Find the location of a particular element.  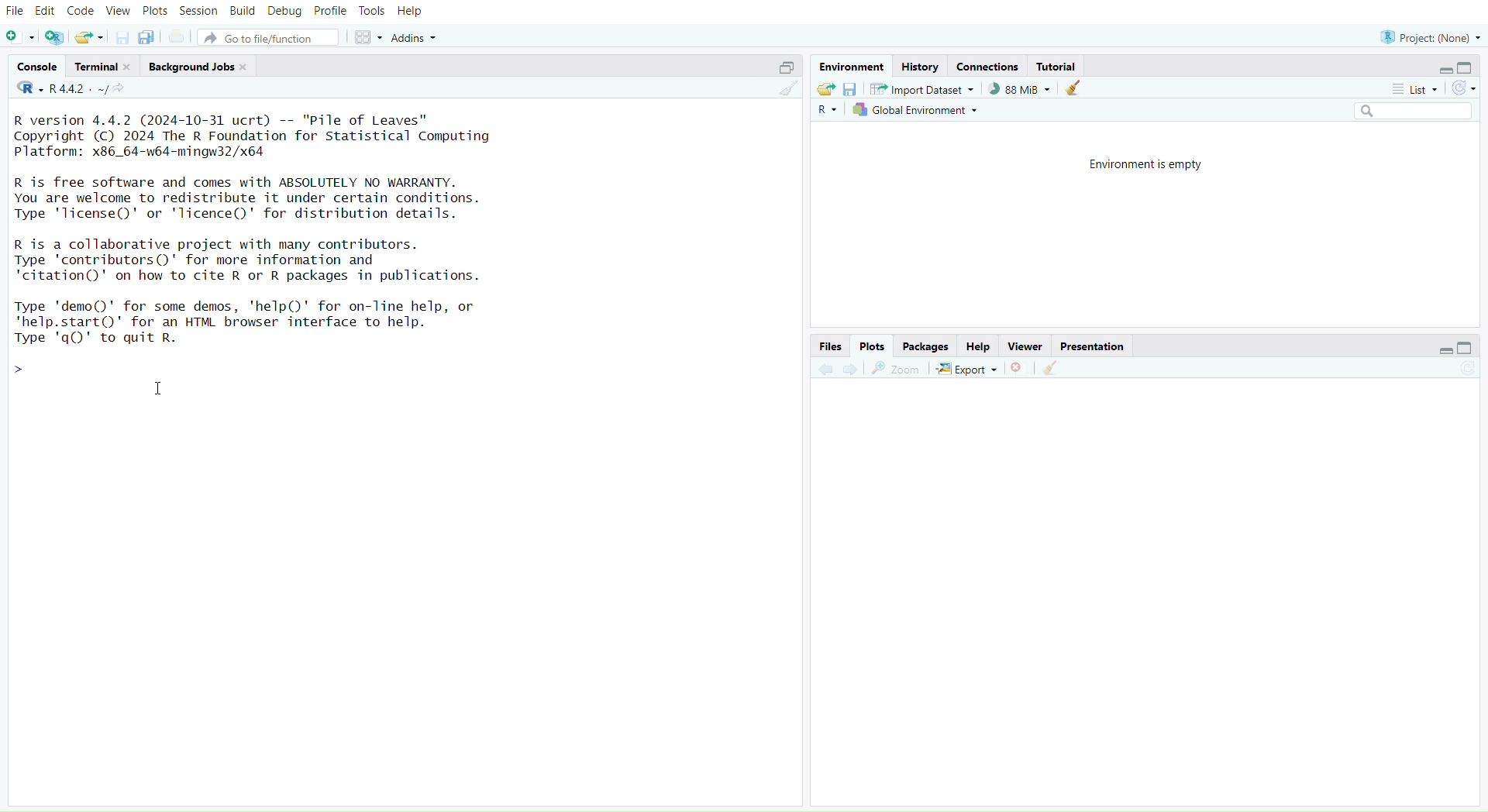

88mib is located at coordinates (1020, 89).